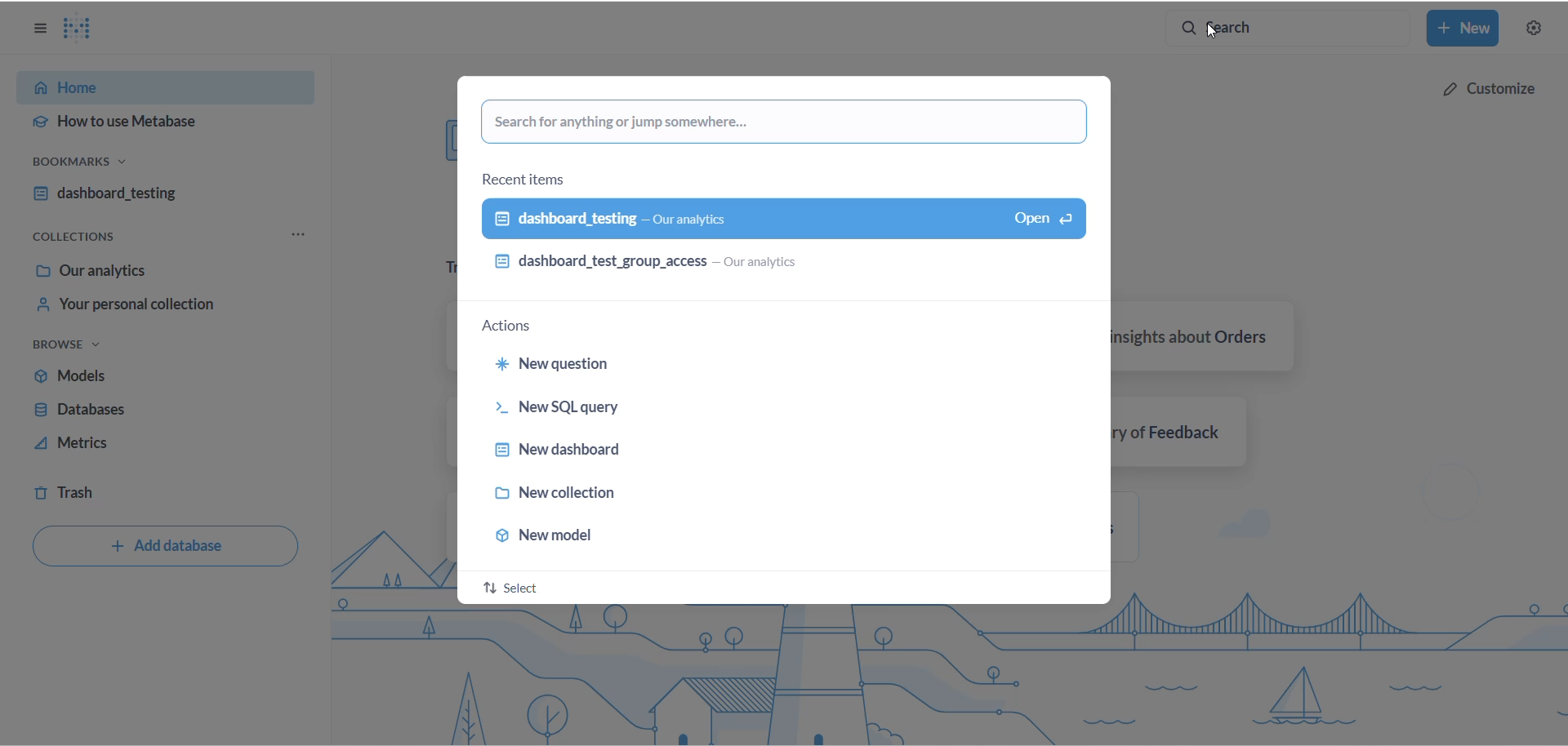 Image resolution: width=1568 pixels, height=746 pixels. What do you see at coordinates (156, 270) in the screenshot?
I see `our analytics folder` at bounding box center [156, 270].